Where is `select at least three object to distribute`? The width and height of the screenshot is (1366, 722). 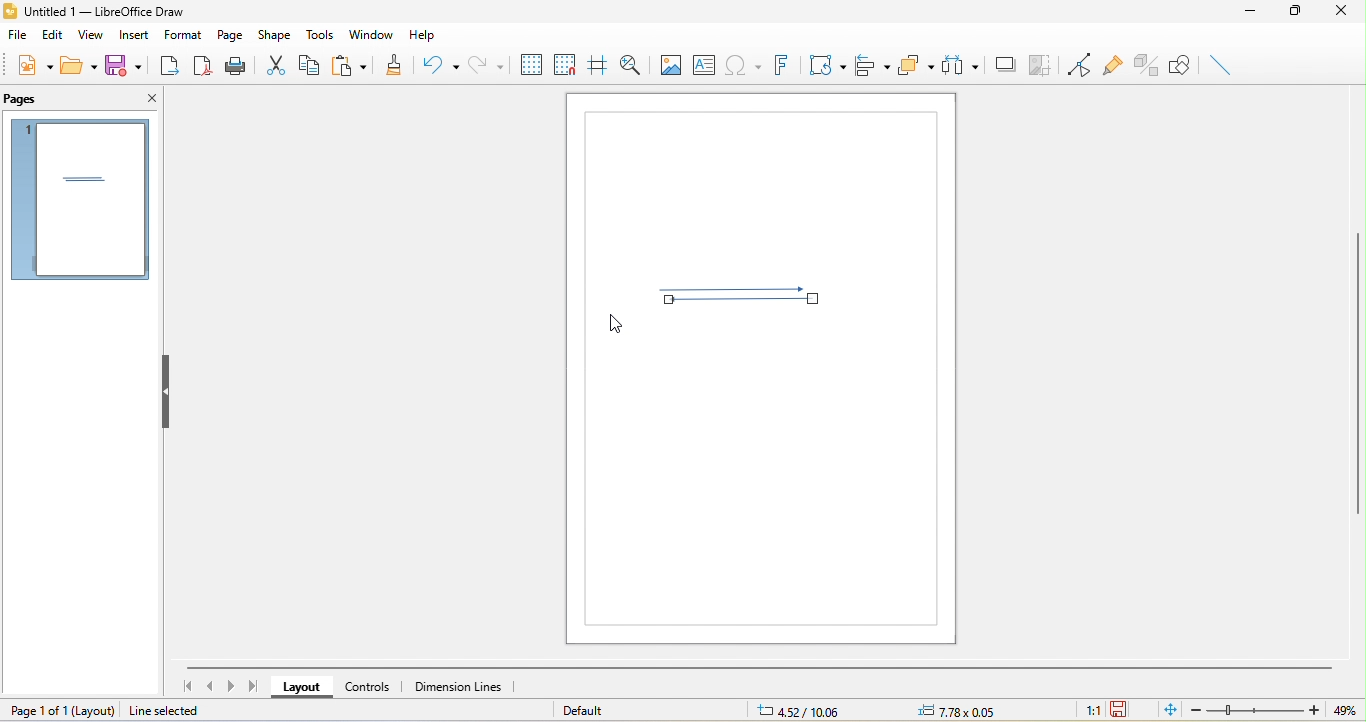 select at least three object to distribute is located at coordinates (962, 68).